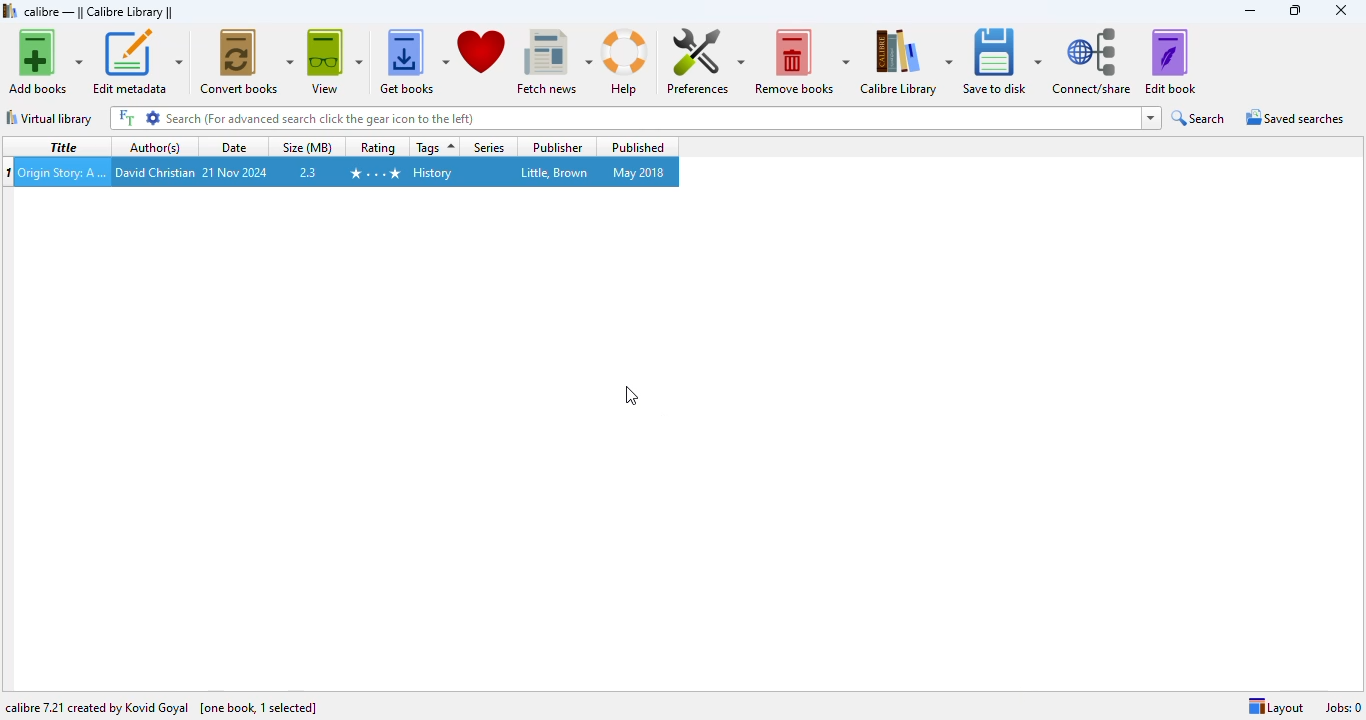 The width and height of the screenshot is (1366, 720). Describe the element at coordinates (308, 171) in the screenshot. I see `2.3` at that location.